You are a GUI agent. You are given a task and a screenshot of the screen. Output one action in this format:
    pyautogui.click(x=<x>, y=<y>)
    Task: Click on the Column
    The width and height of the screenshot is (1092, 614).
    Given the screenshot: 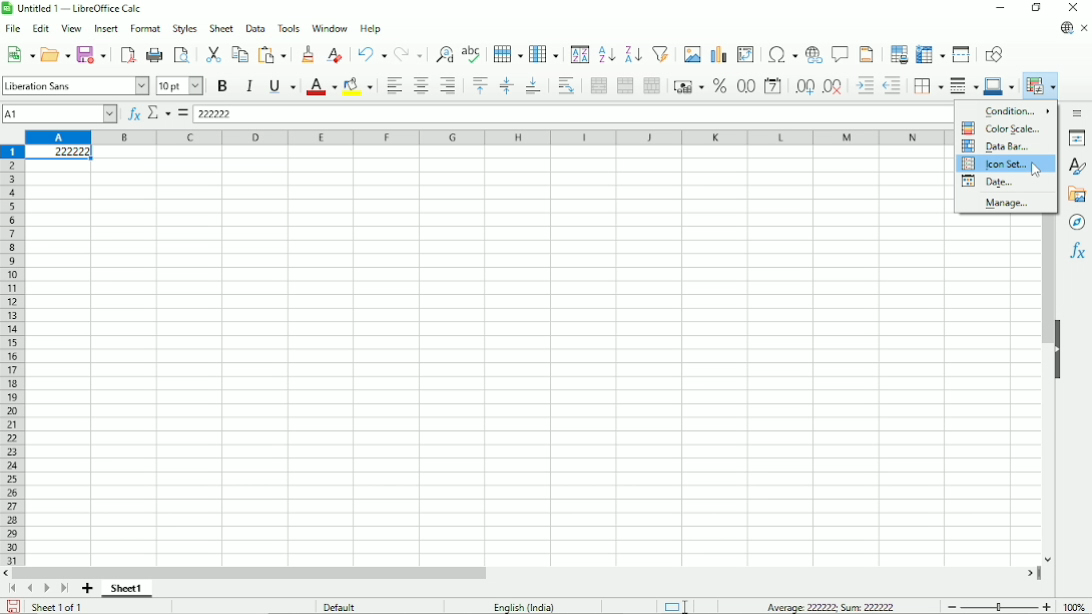 What is the action you would take?
    pyautogui.click(x=545, y=54)
    